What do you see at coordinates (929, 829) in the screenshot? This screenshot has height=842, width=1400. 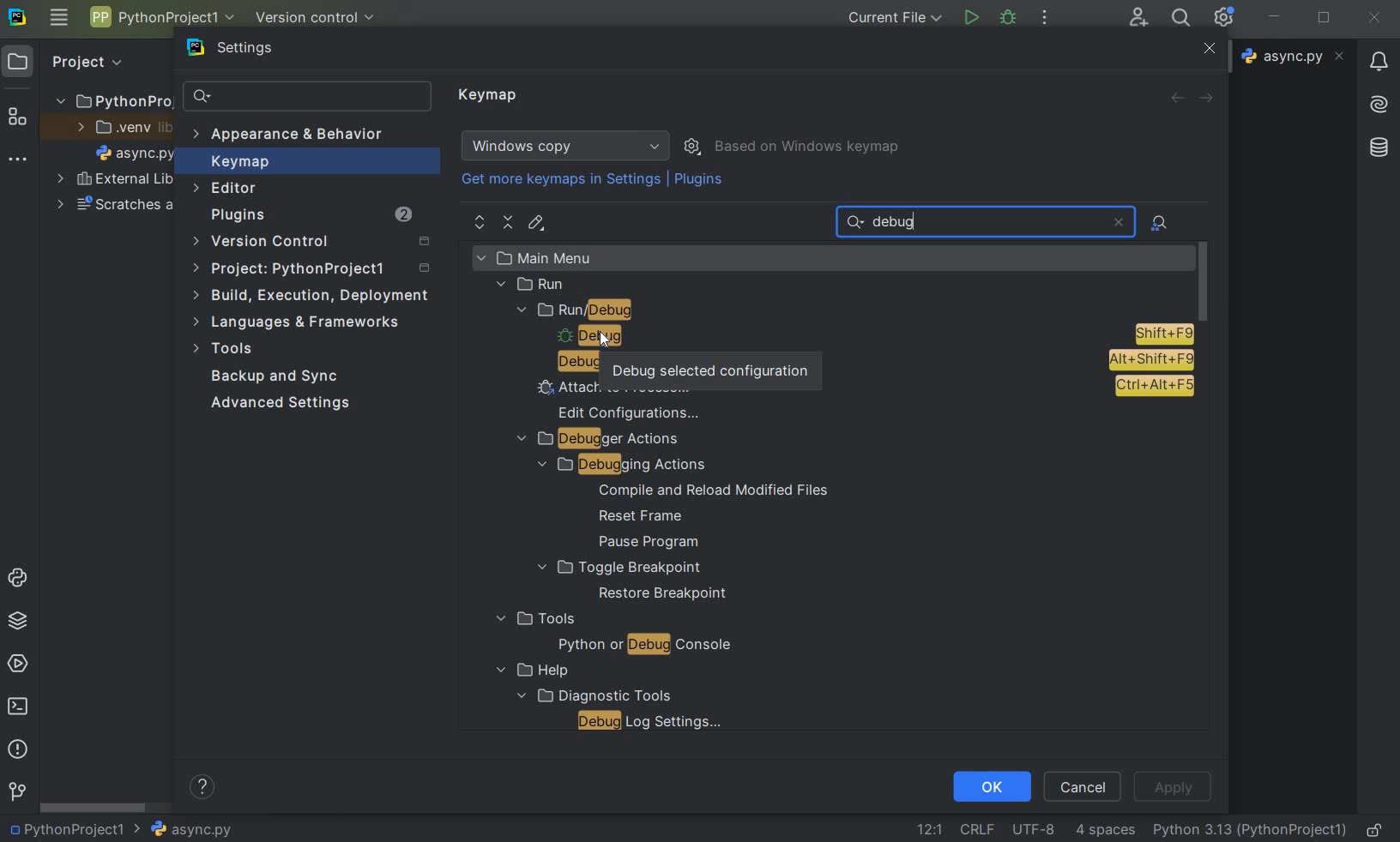 I see `go to line` at bounding box center [929, 829].